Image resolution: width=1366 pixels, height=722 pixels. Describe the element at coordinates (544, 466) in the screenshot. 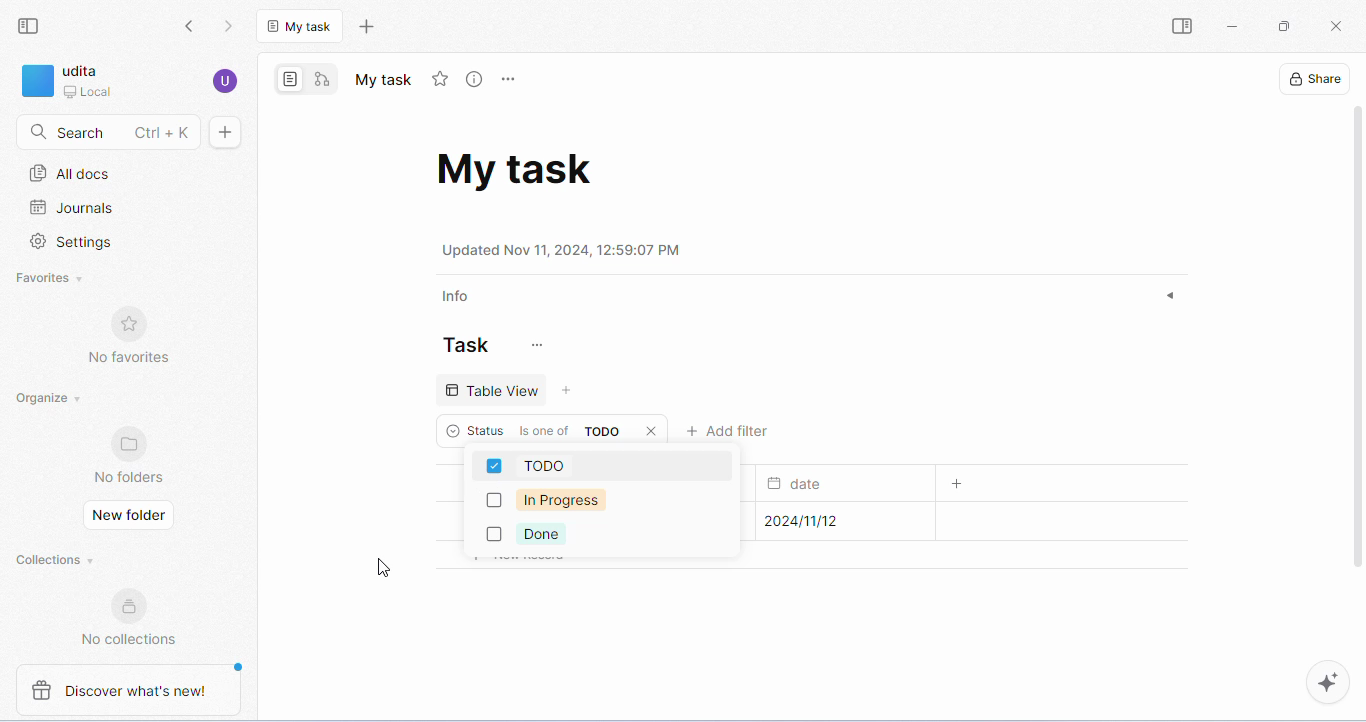

I see `todo` at that location.